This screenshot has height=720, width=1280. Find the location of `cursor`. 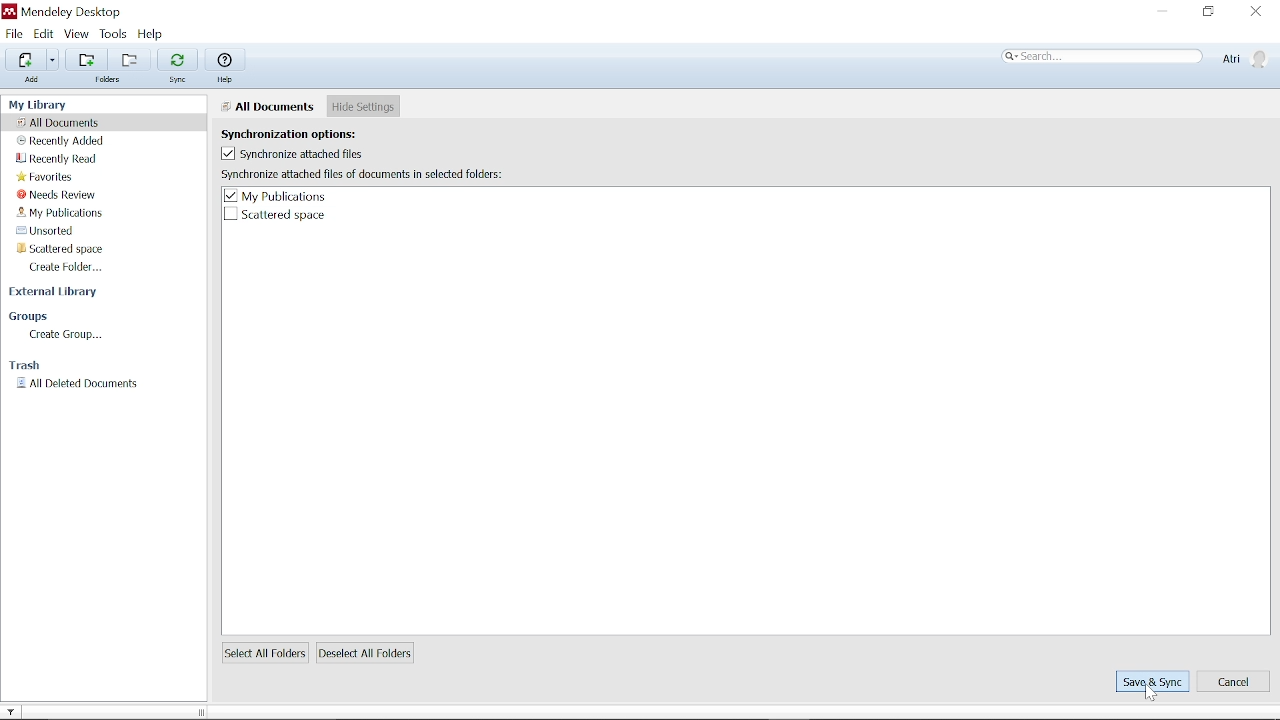

cursor is located at coordinates (1149, 695).